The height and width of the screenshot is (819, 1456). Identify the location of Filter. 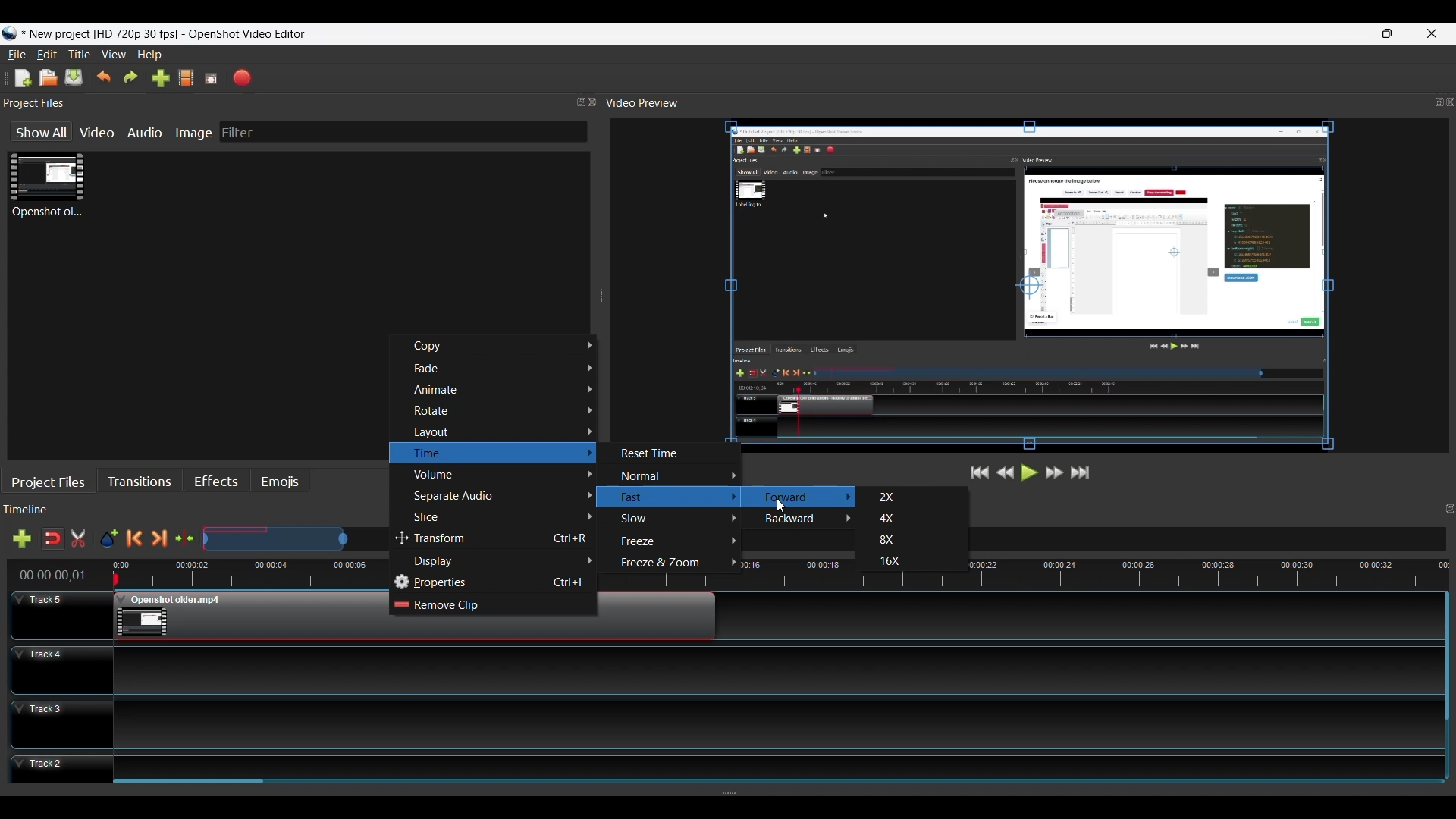
(237, 132).